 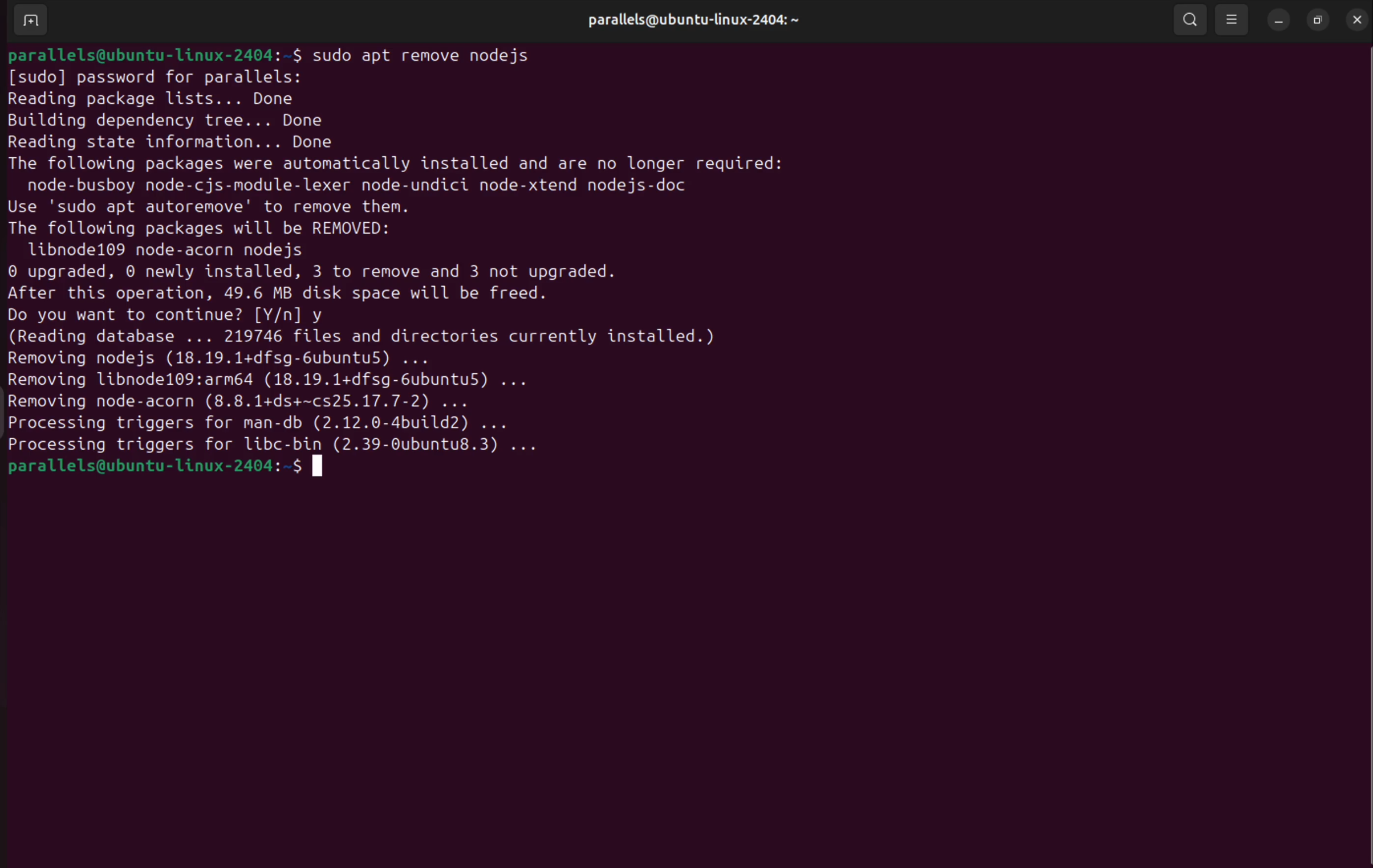 What do you see at coordinates (389, 390) in the screenshot?
I see `(Reading database ... 219746 files and directories currently installed.)
Removing nodejs (18.19.1+dfsg-6ubuntu5) ...

Removing libnode109:armé64 (18.19.1+dfsg-6ubuntus) ...

Removing node-acorn (8.8.1+ds+~cs25.17.7-2) ...

Processing triggers for man-db (2.12.0-4build2) ...

Processing triggers for libc-bin (2.39-Oubuntu8.3) ...` at bounding box center [389, 390].